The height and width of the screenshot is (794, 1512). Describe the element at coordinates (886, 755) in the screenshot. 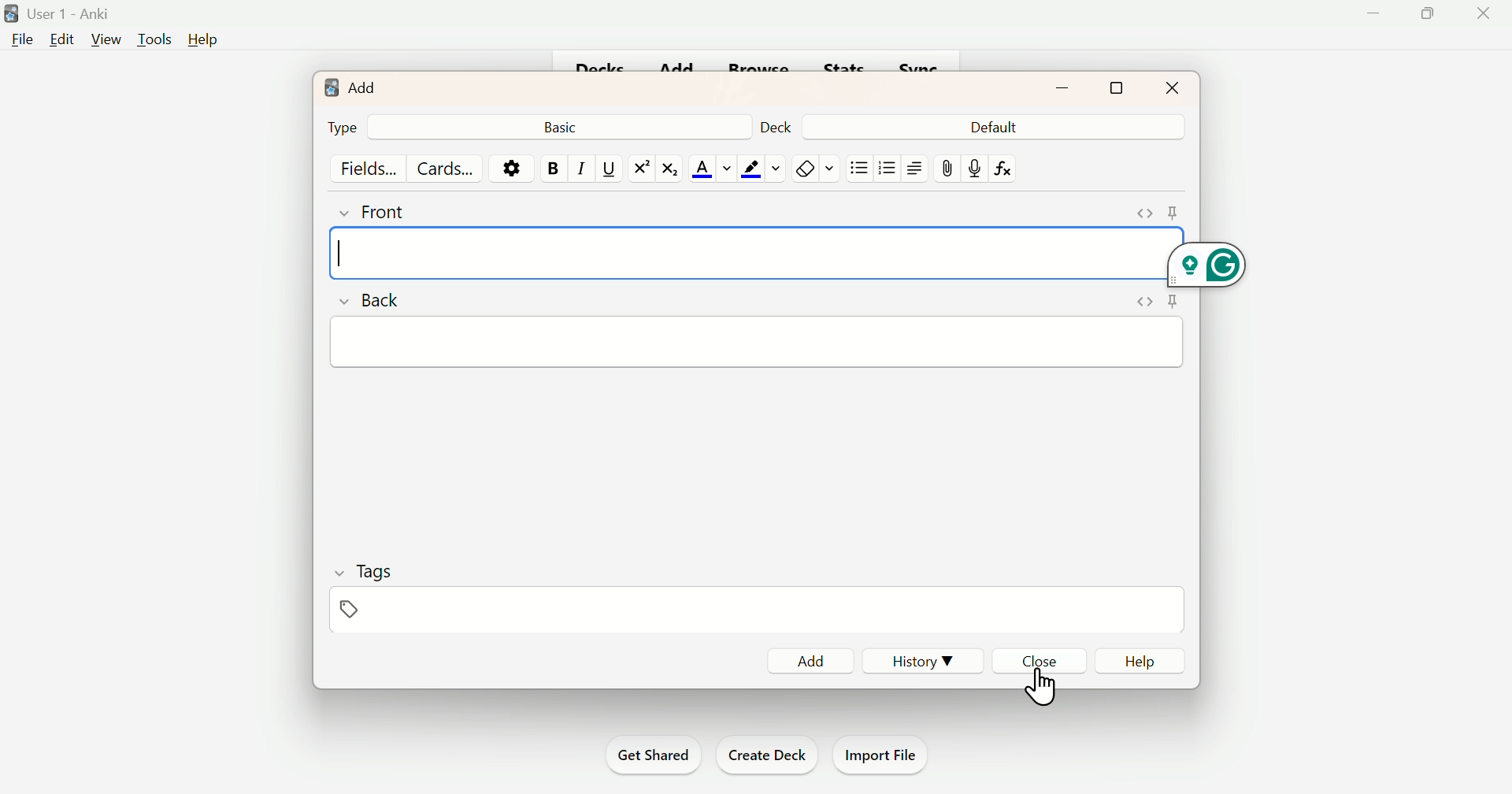

I see `Import File` at that location.